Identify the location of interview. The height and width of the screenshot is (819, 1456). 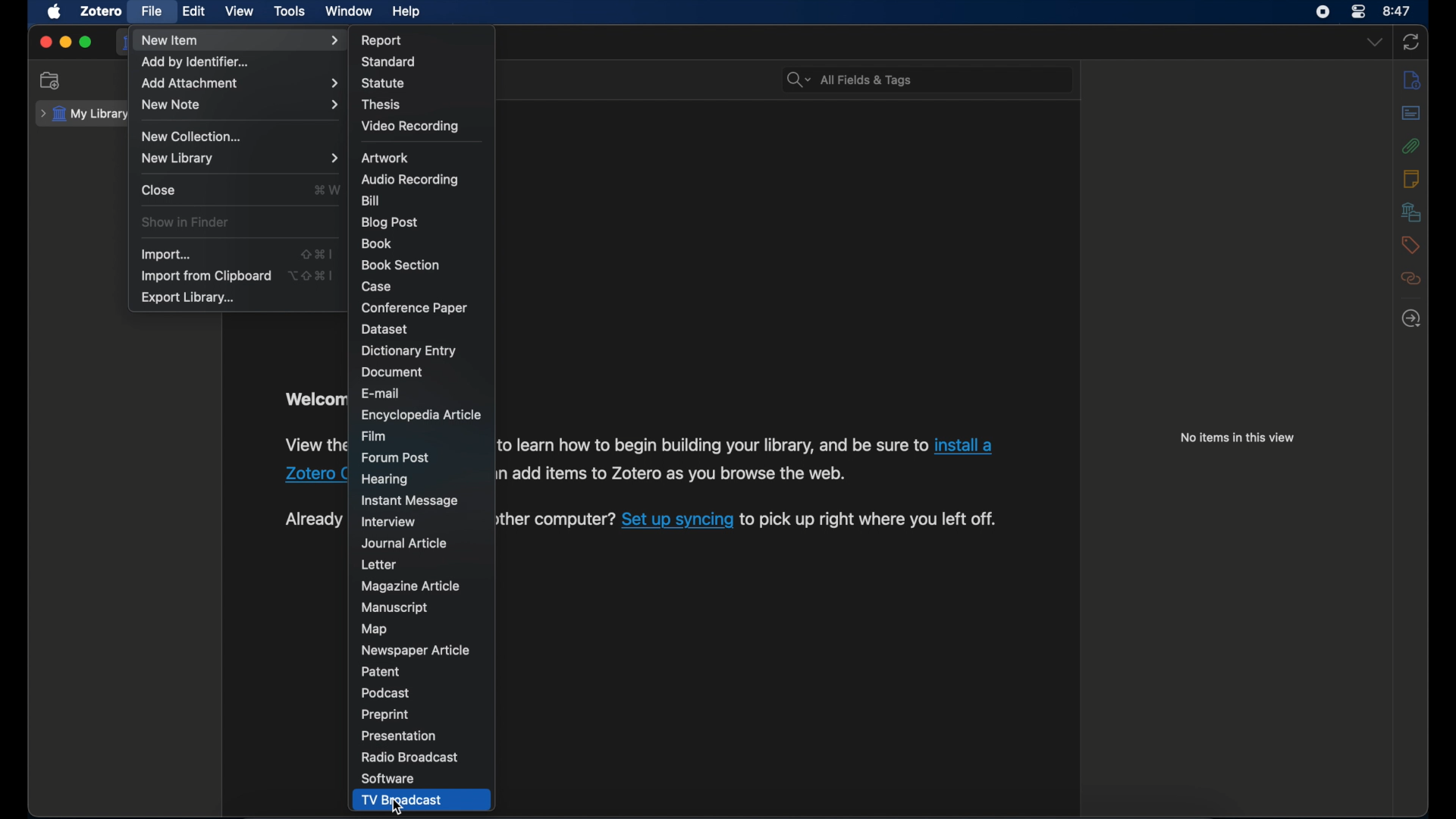
(391, 522).